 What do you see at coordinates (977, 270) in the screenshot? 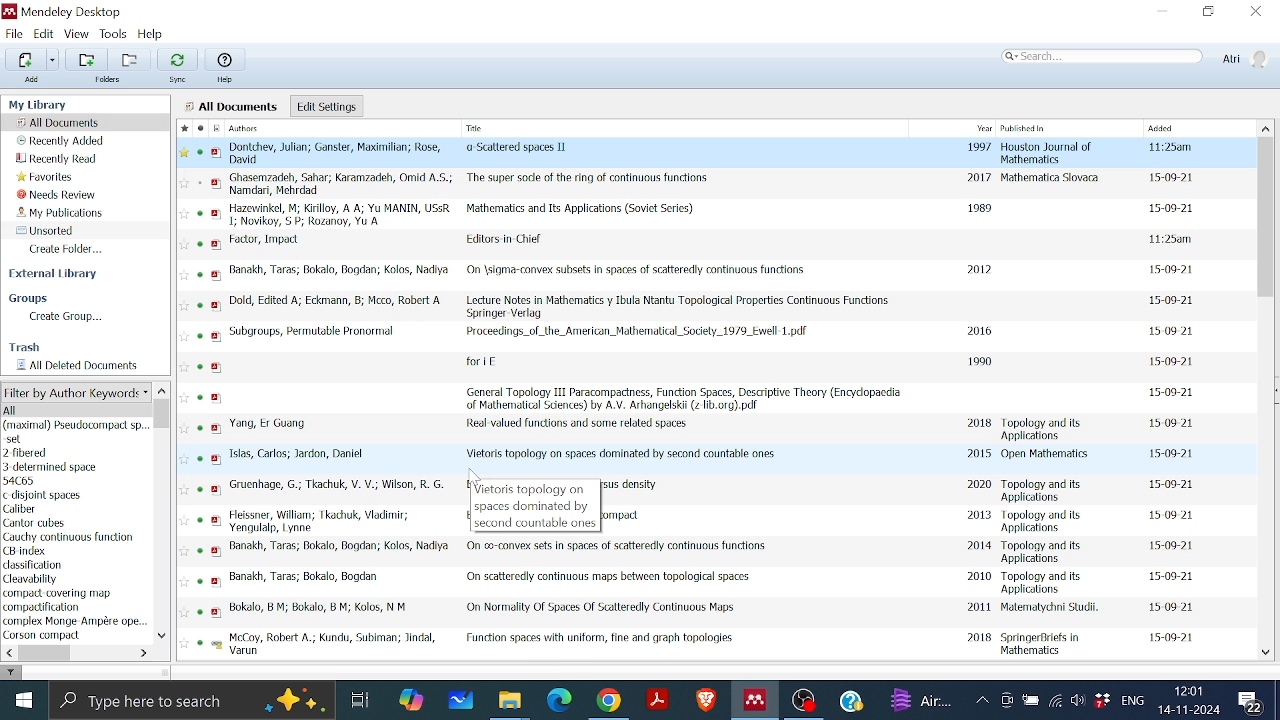
I see `2012` at bounding box center [977, 270].